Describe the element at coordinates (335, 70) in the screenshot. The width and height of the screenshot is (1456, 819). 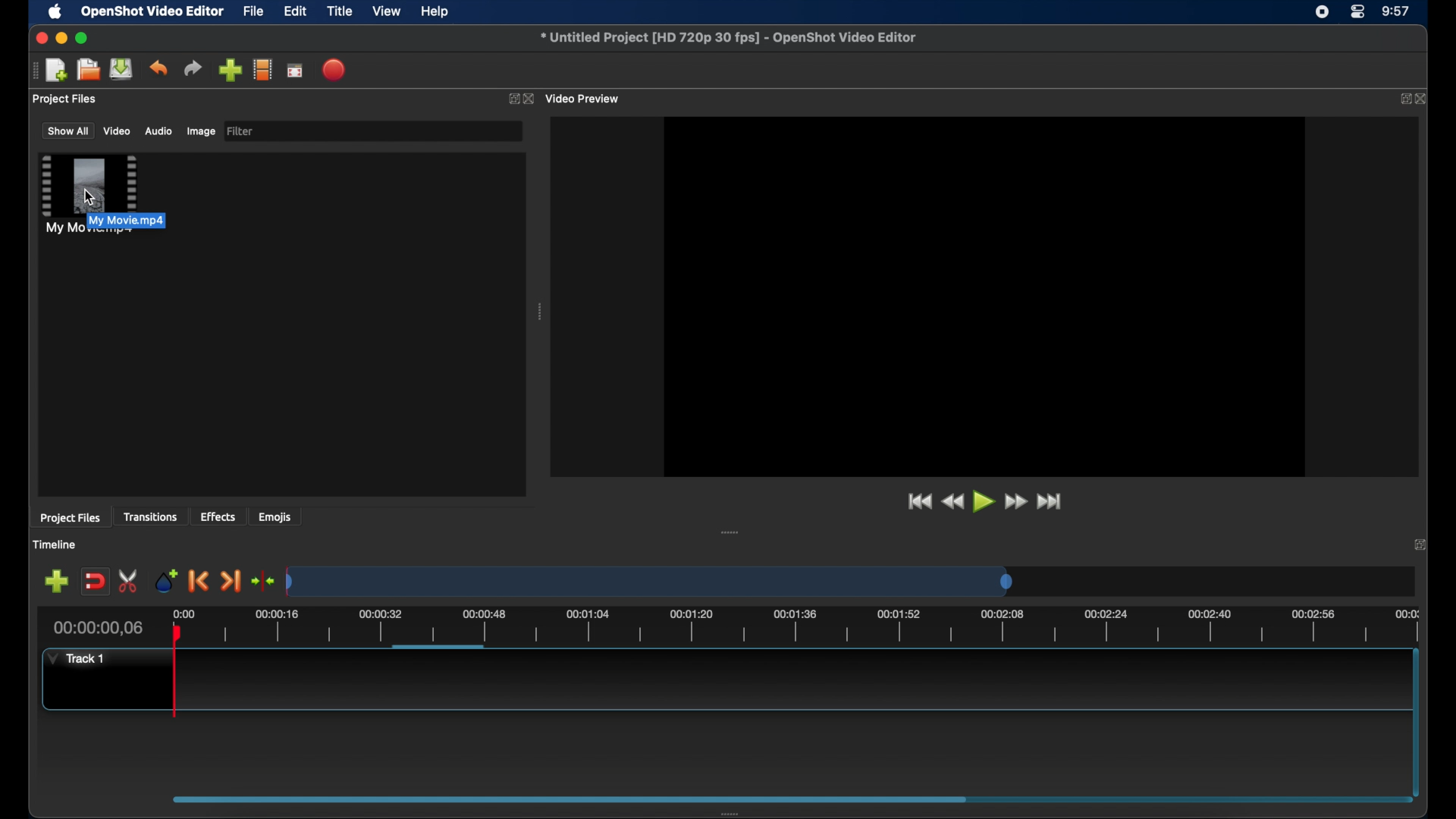
I see `export video` at that location.